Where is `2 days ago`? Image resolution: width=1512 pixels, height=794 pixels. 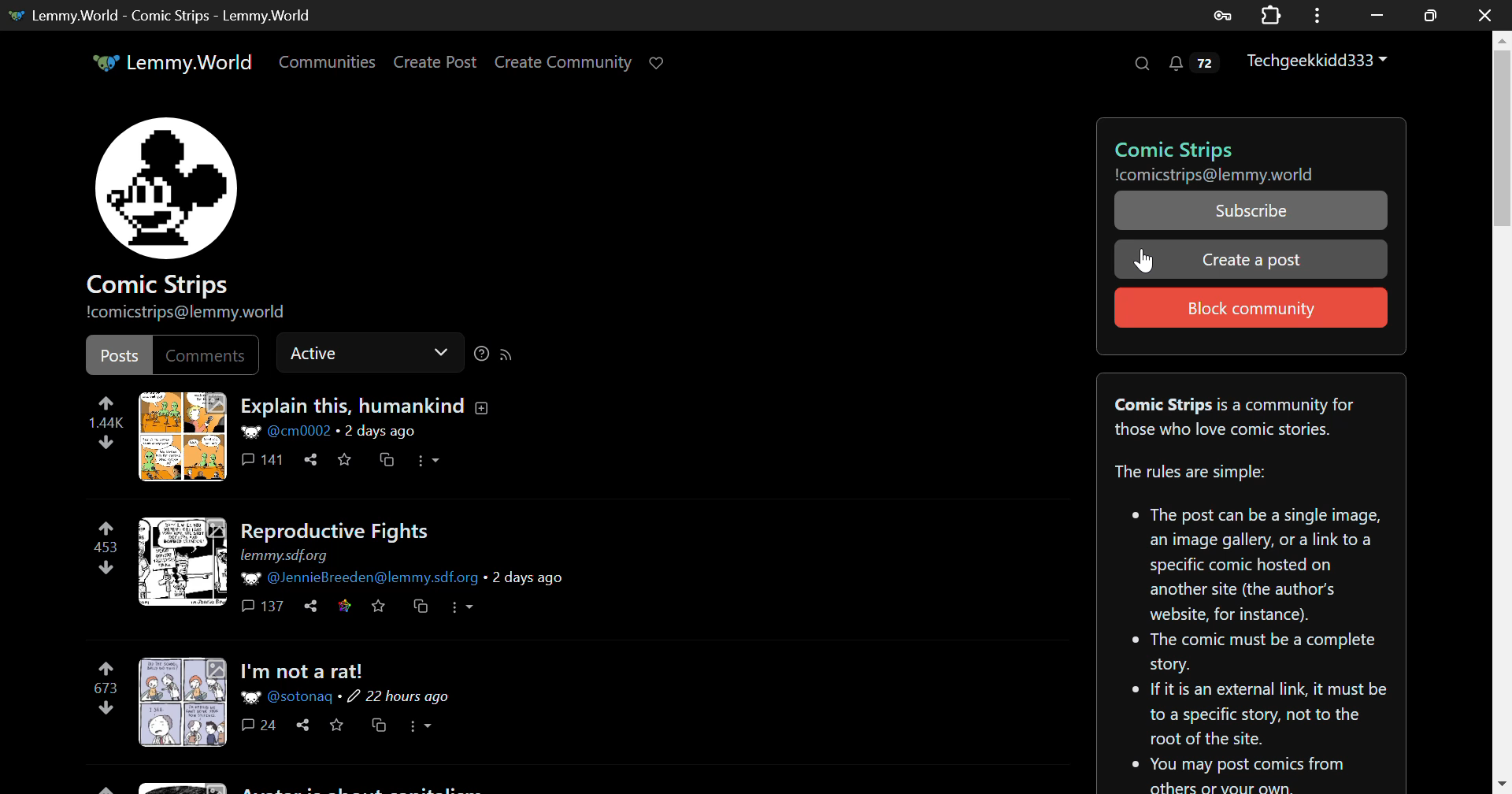
2 days ago is located at coordinates (528, 578).